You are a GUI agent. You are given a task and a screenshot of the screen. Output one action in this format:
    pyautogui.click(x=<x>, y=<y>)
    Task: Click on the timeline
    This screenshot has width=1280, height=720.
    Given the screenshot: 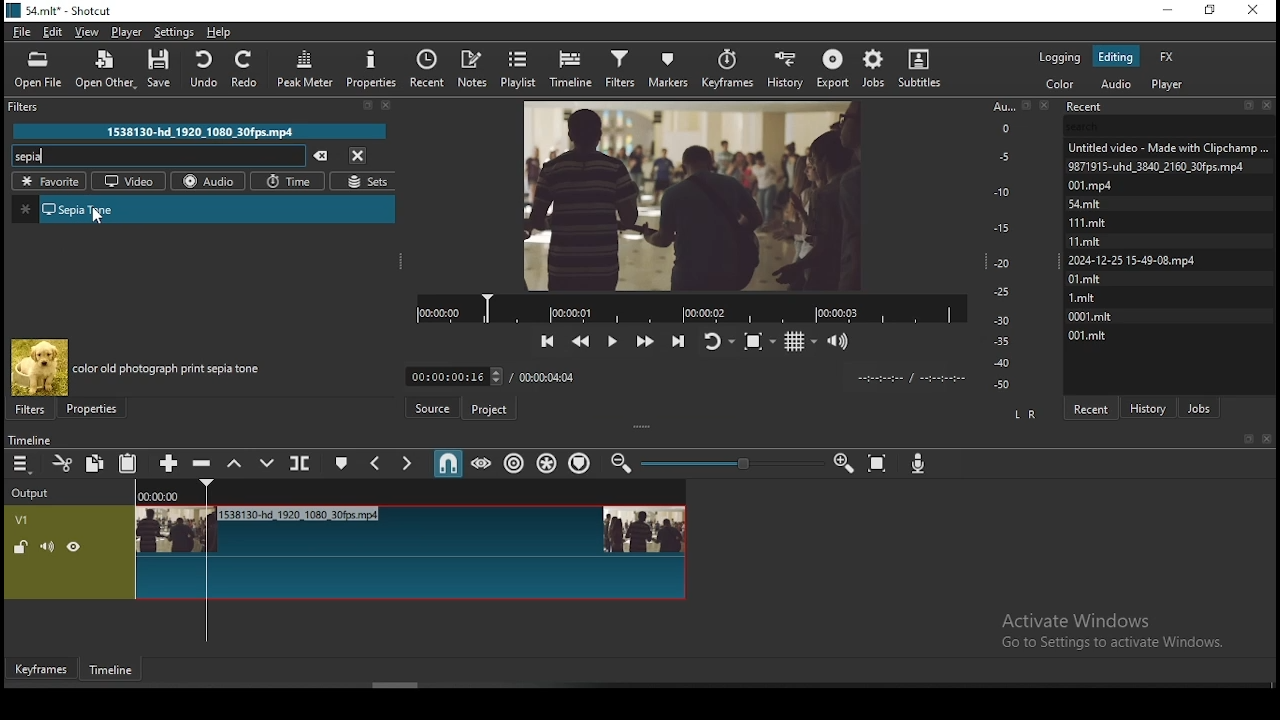 What is the action you would take?
    pyautogui.click(x=112, y=673)
    